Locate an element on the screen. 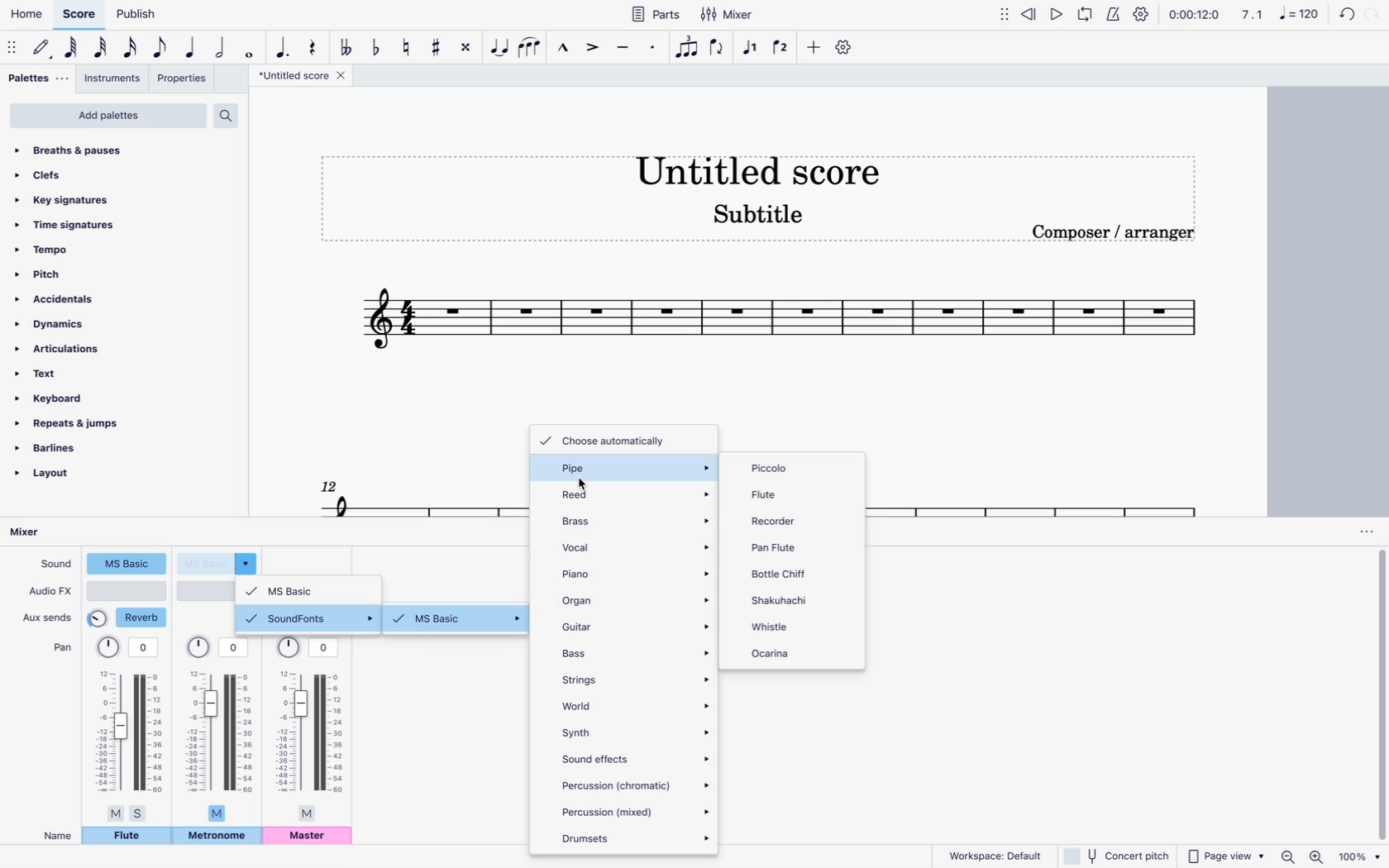  options is located at coordinates (1360, 532).